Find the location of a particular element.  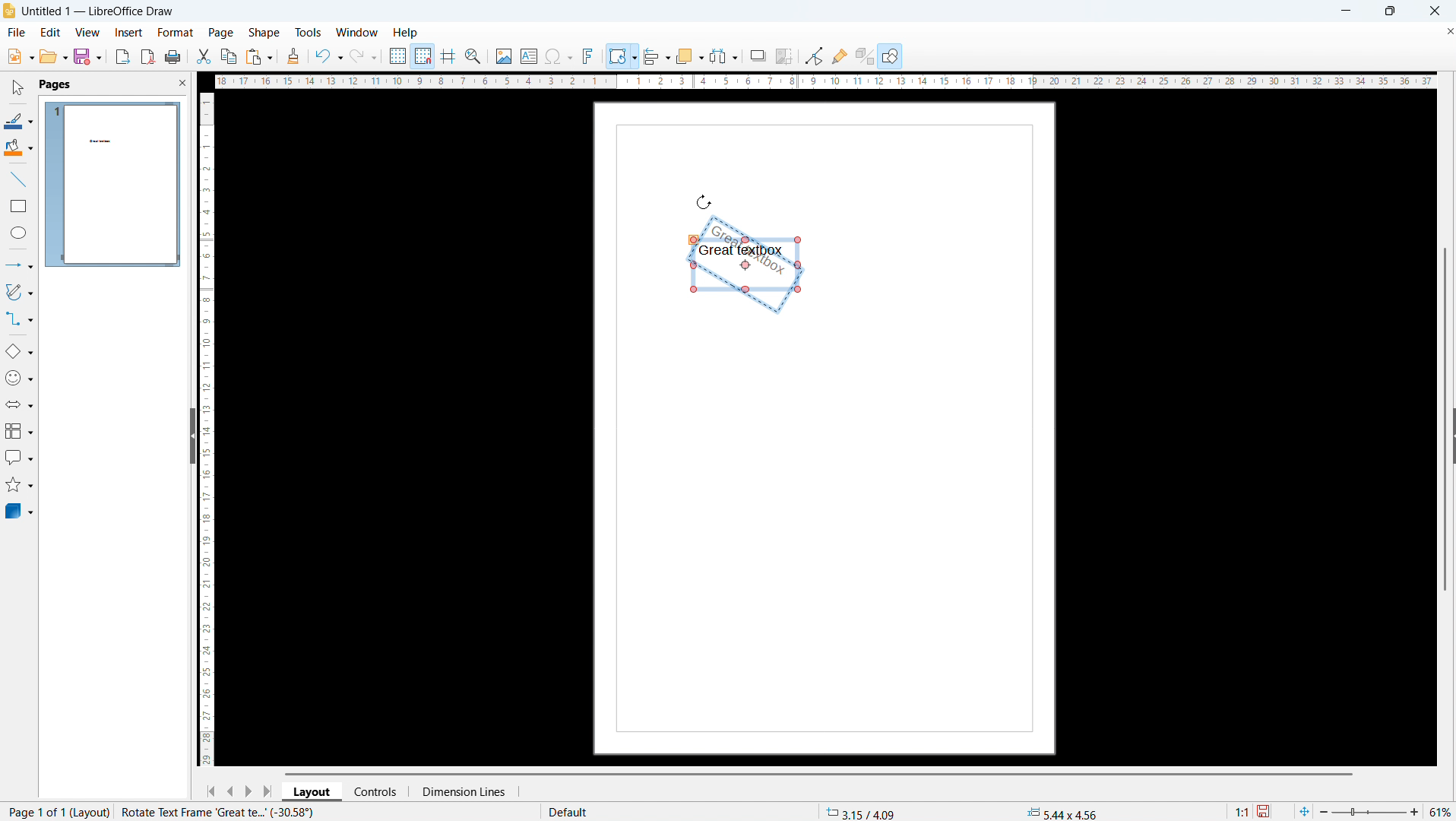

Rotation information  is located at coordinates (219, 812).